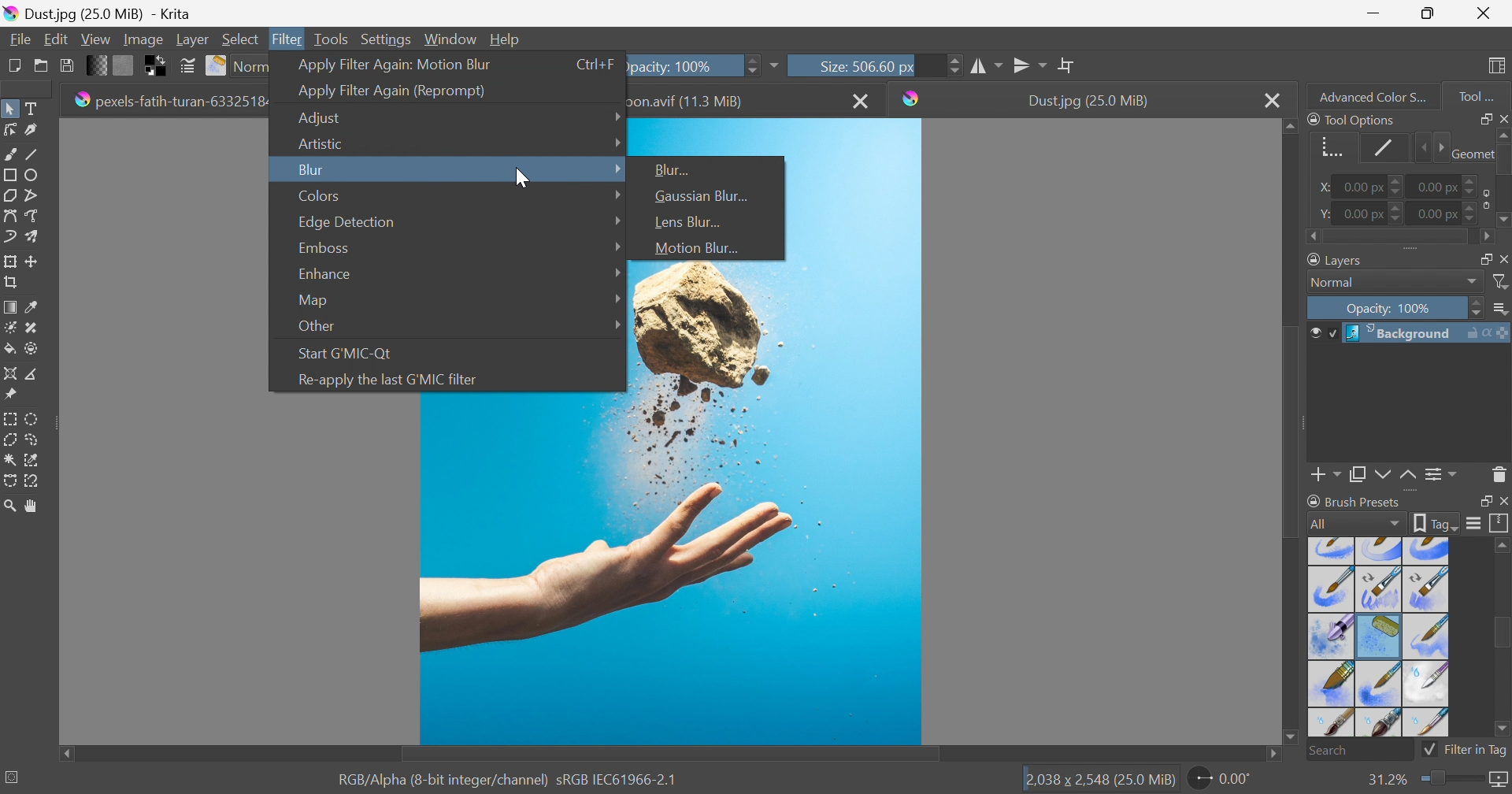 Image resolution: width=1512 pixels, height=794 pixels. Describe the element at coordinates (1328, 145) in the screenshot. I see `Geometry` at that location.